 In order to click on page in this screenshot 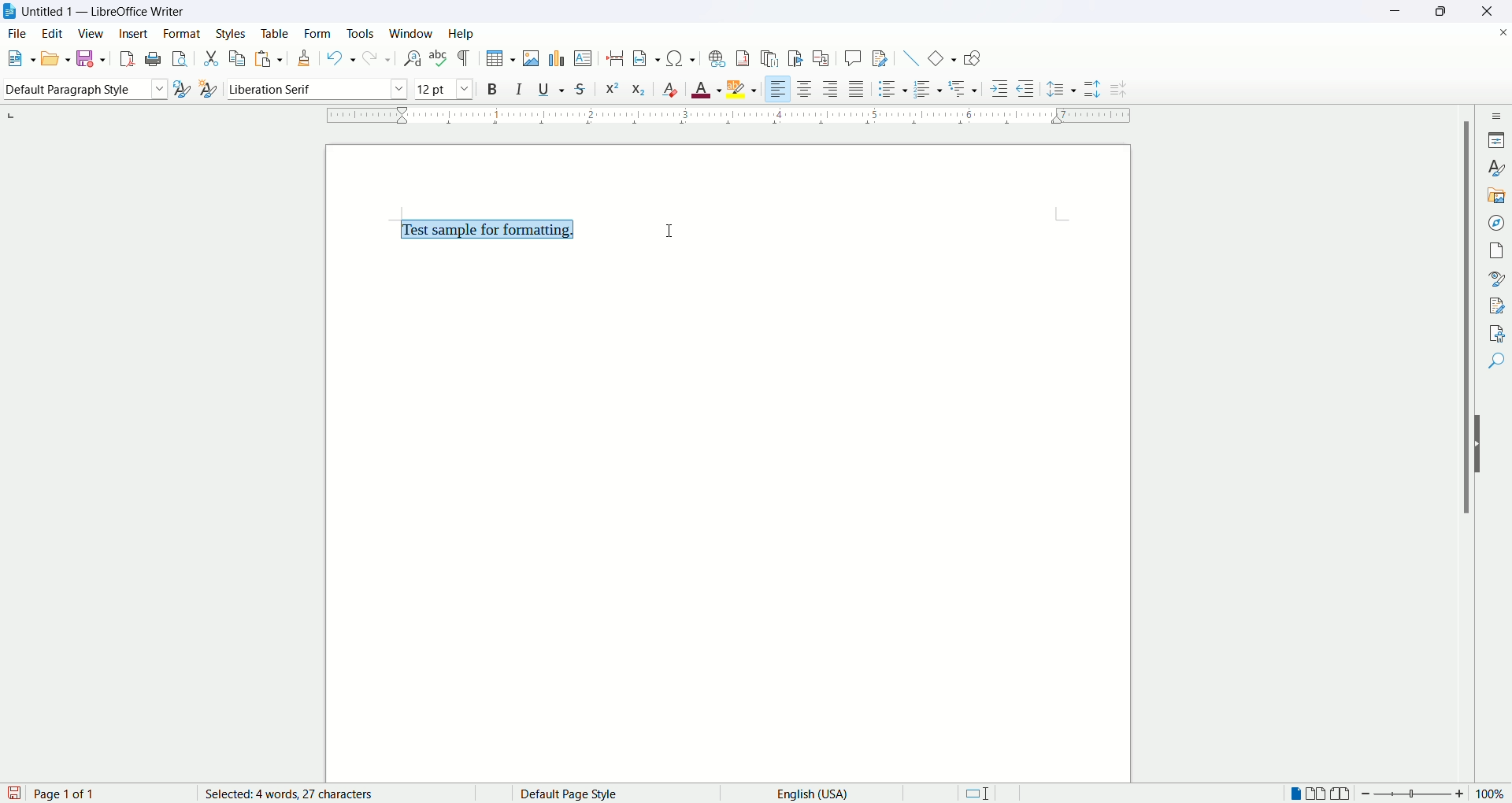, I will do `click(1495, 253)`.